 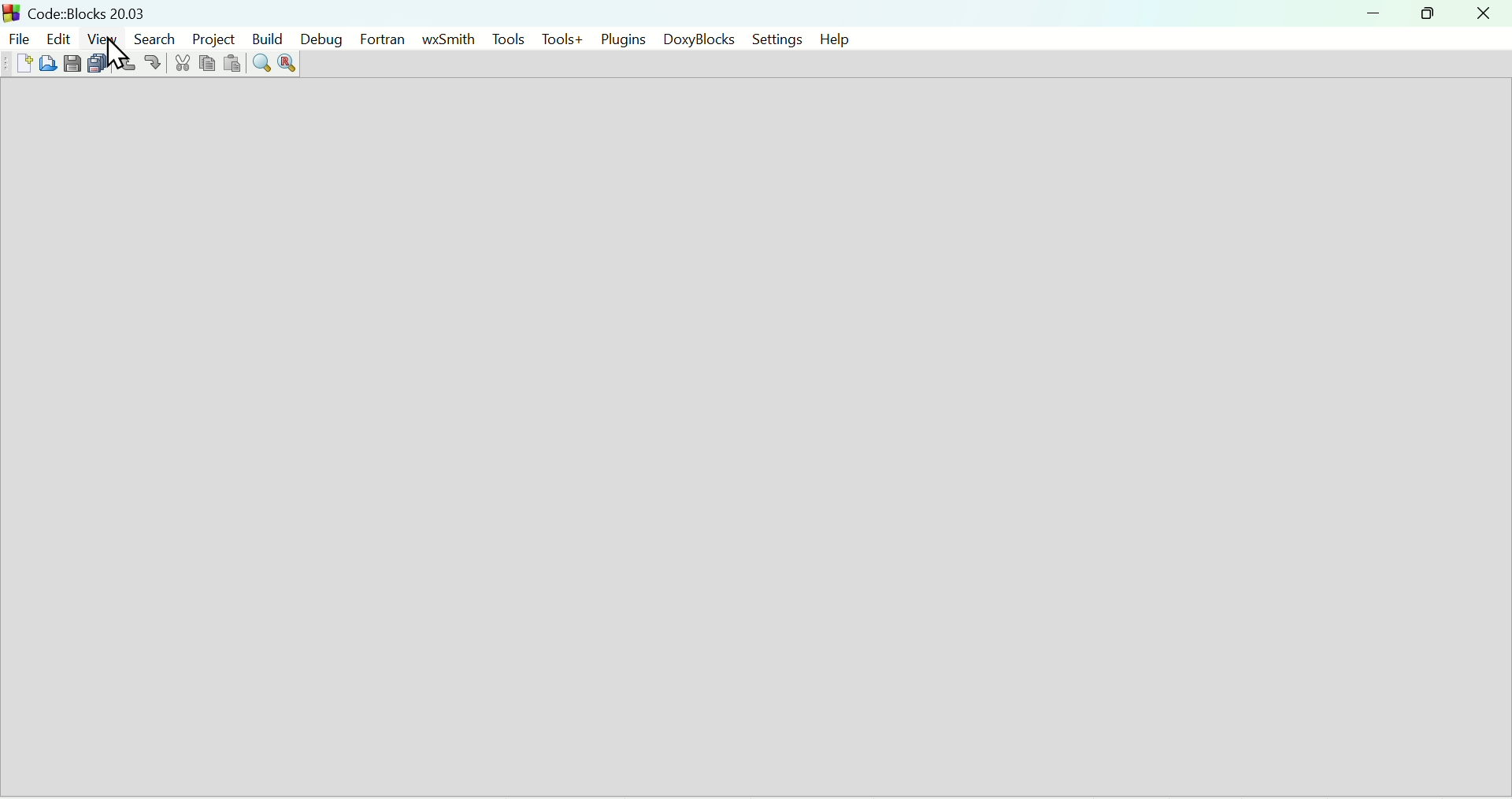 What do you see at coordinates (288, 65) in the screenshot?
I see `Replace` at bounding box center [288, 65].